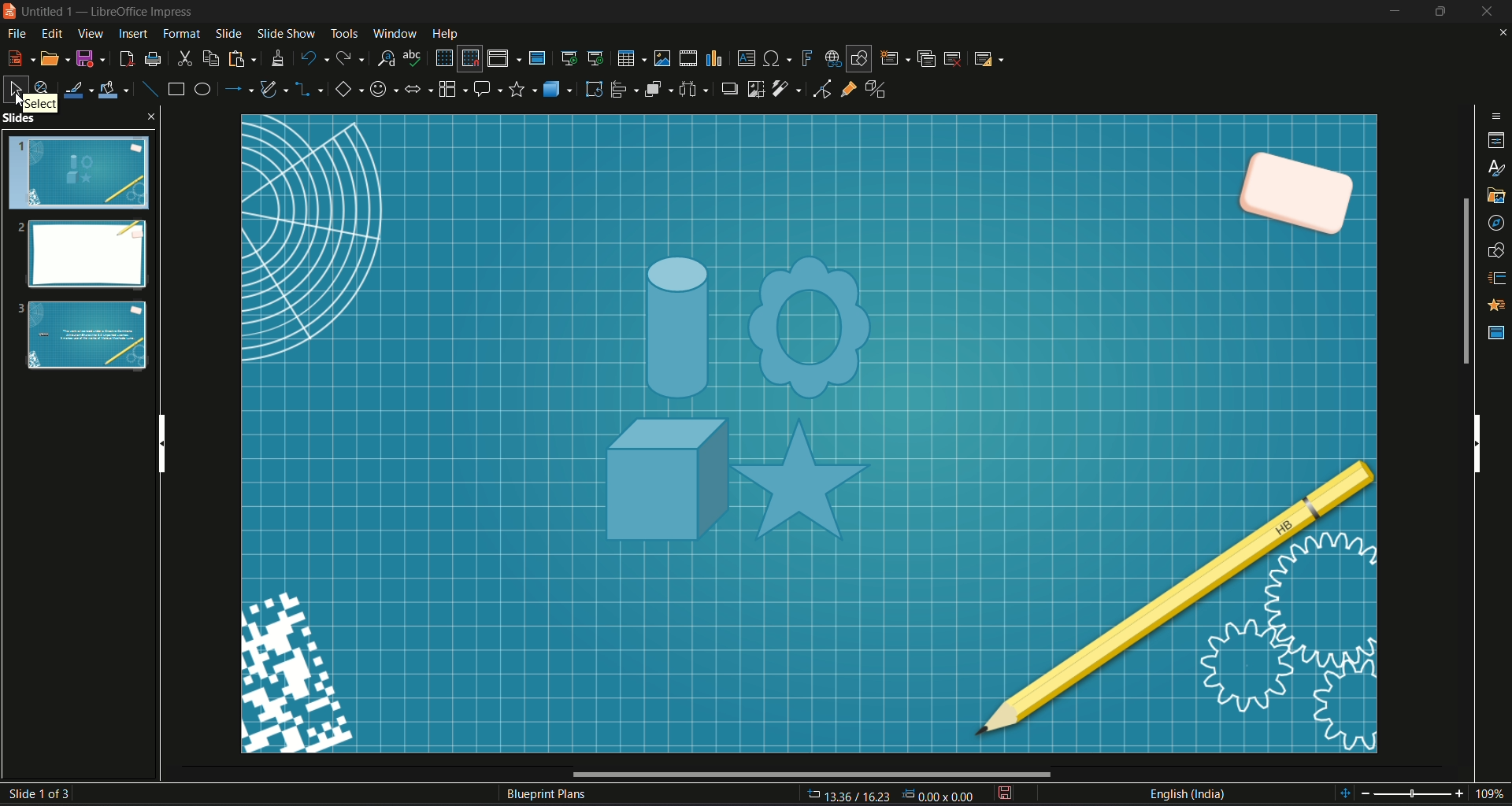  What do you see at coordinates (1425, 794) in the screenshot?
I see `Zoom` at bounding box center [1425, 794].